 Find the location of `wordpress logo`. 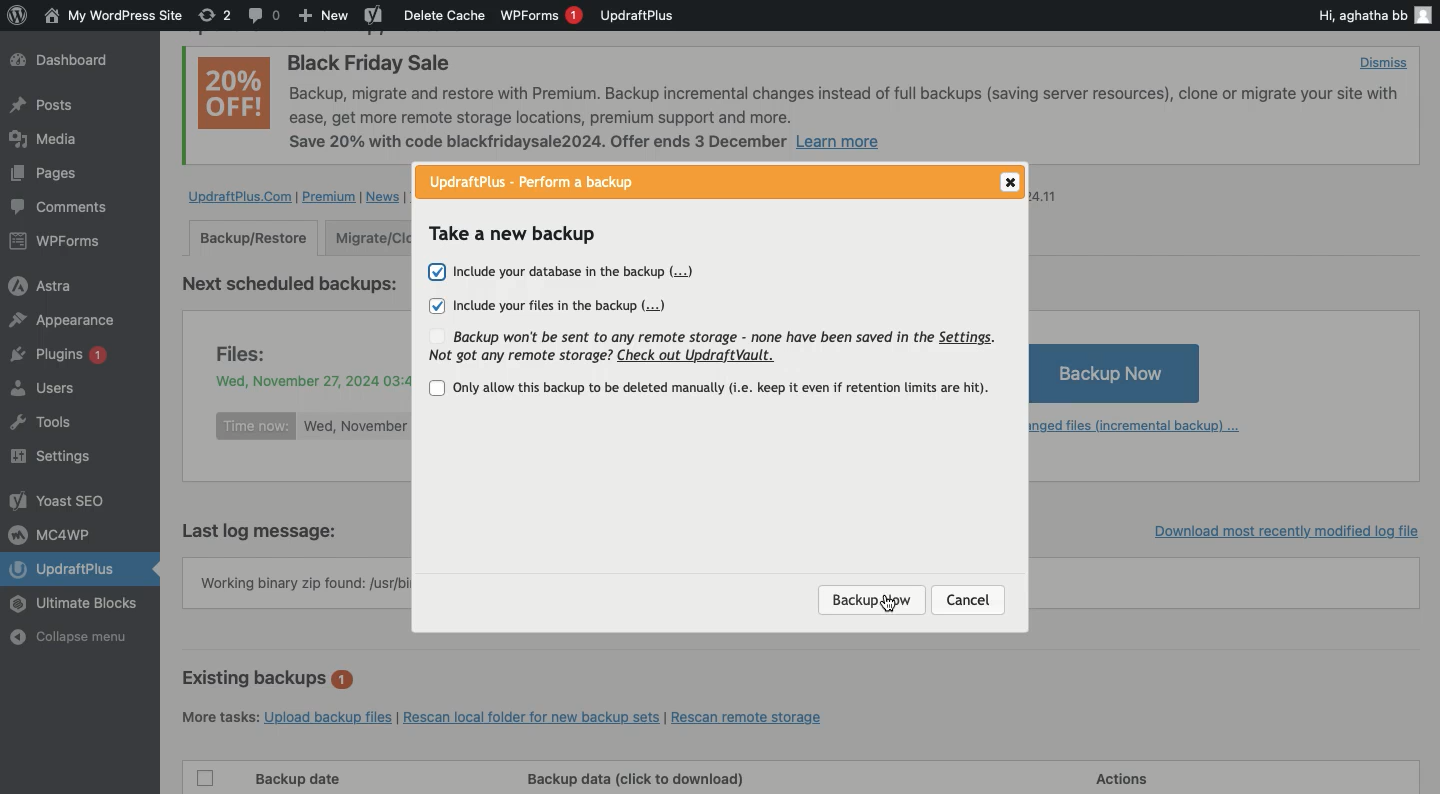

wordpress logo is located at coordinates (17, 15).